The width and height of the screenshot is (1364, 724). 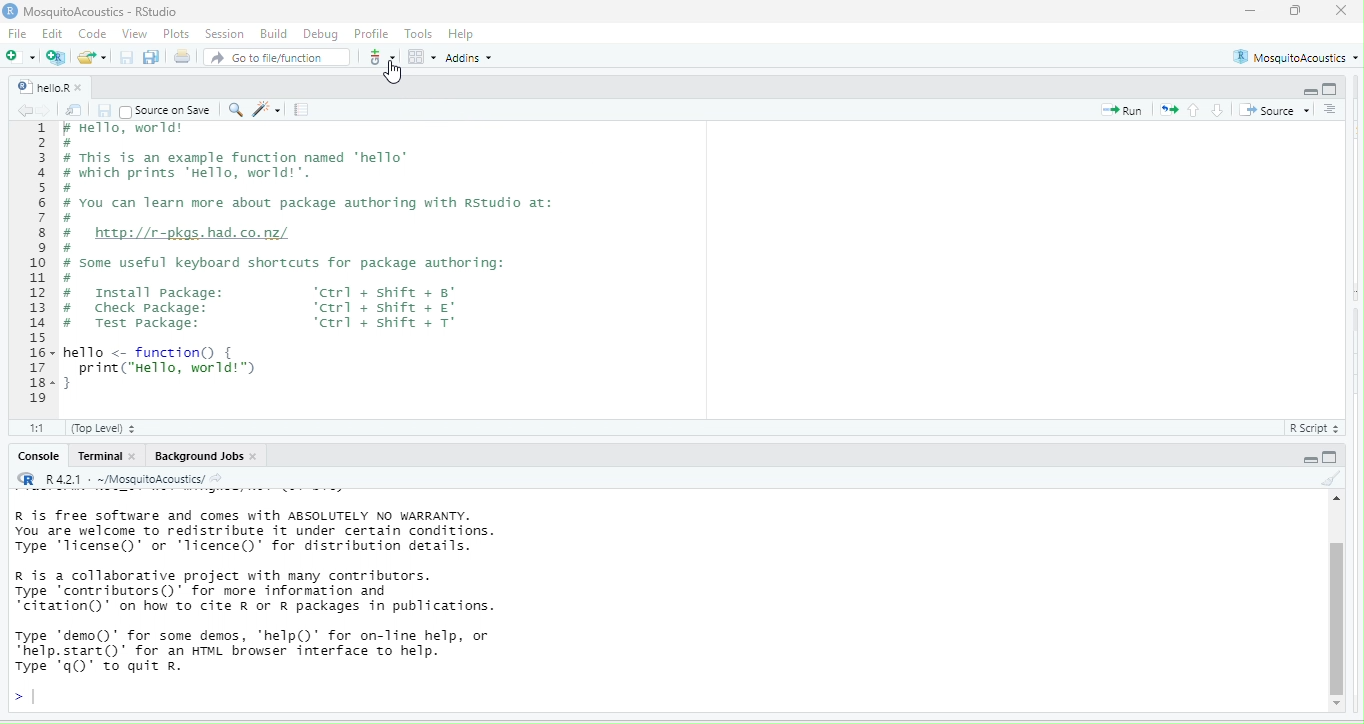 What do you see at coordinates (201, 456) in the screenshot?
I see `Background Jobs` at bounding box center [201, 456].